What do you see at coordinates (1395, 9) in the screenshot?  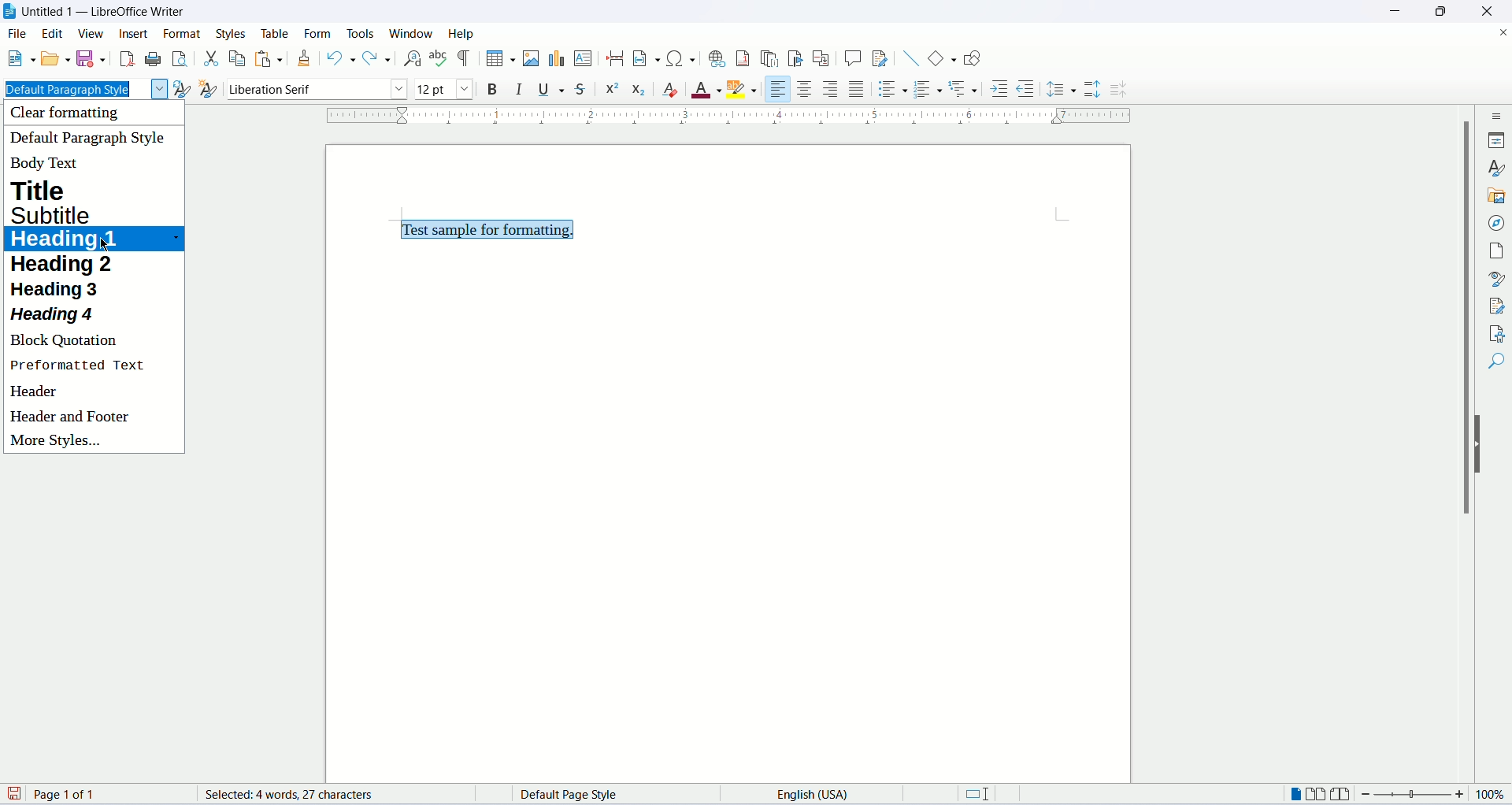 I see `minimize` at bounding box center [1395, 9].